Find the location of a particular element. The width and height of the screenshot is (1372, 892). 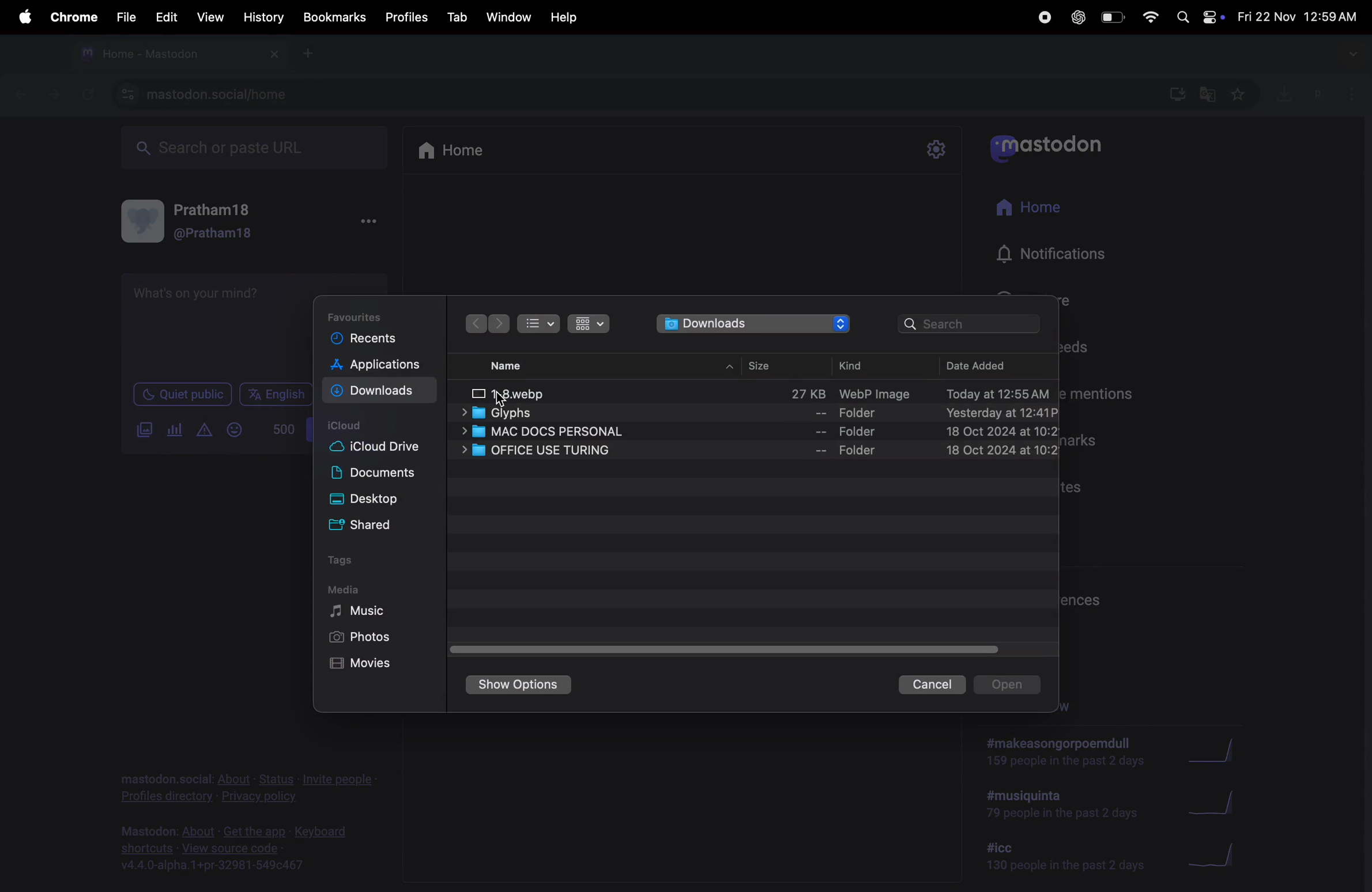

view site information is located at coordinates (128, 95).